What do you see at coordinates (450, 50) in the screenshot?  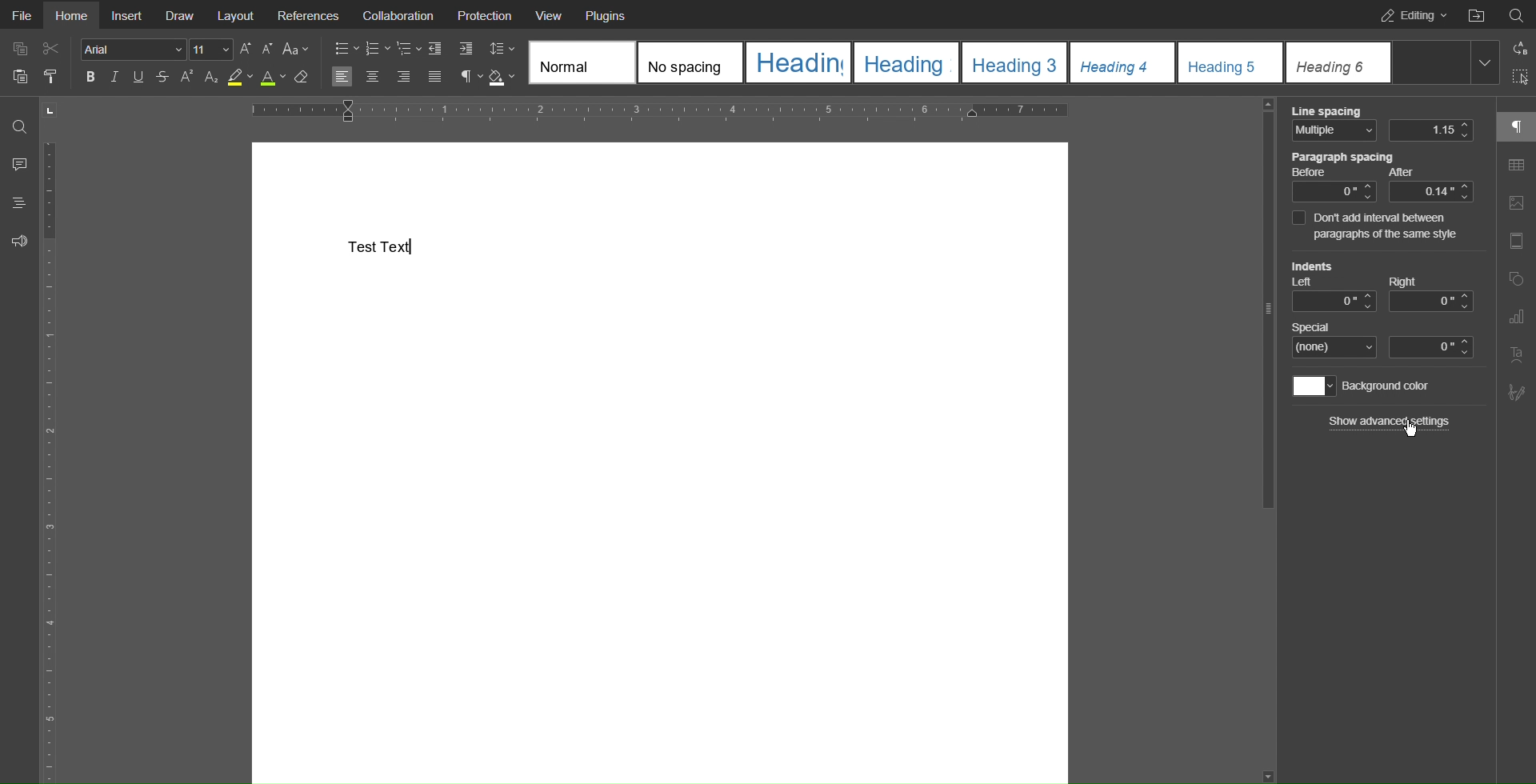 I see `Indents` at bounding box center [450, 50].